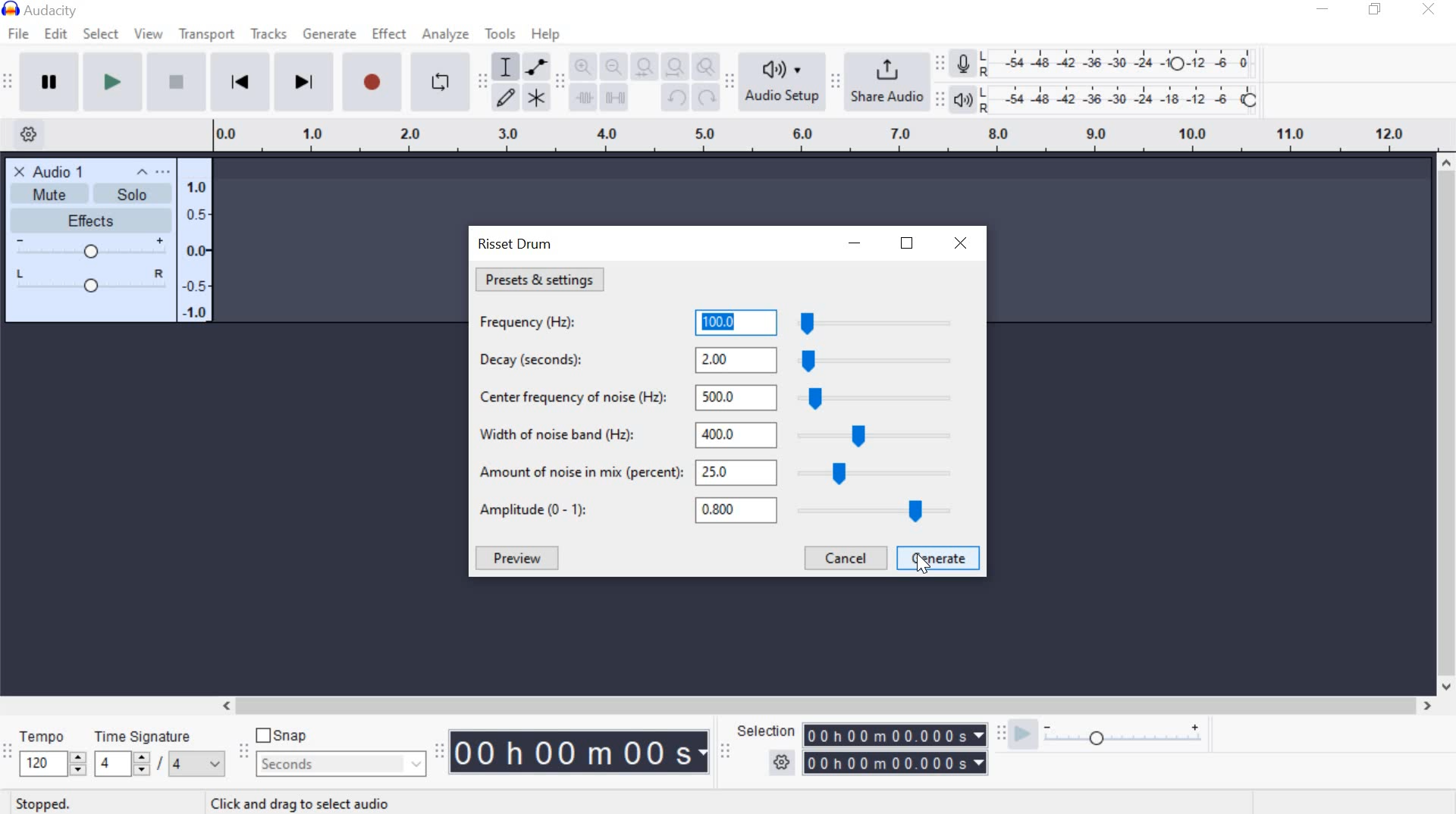 The height and width of the screenshot is (814, 1456). Describe the element at coordinates (1123, 740) in the screenshot. I see `Playback speed` at that location.